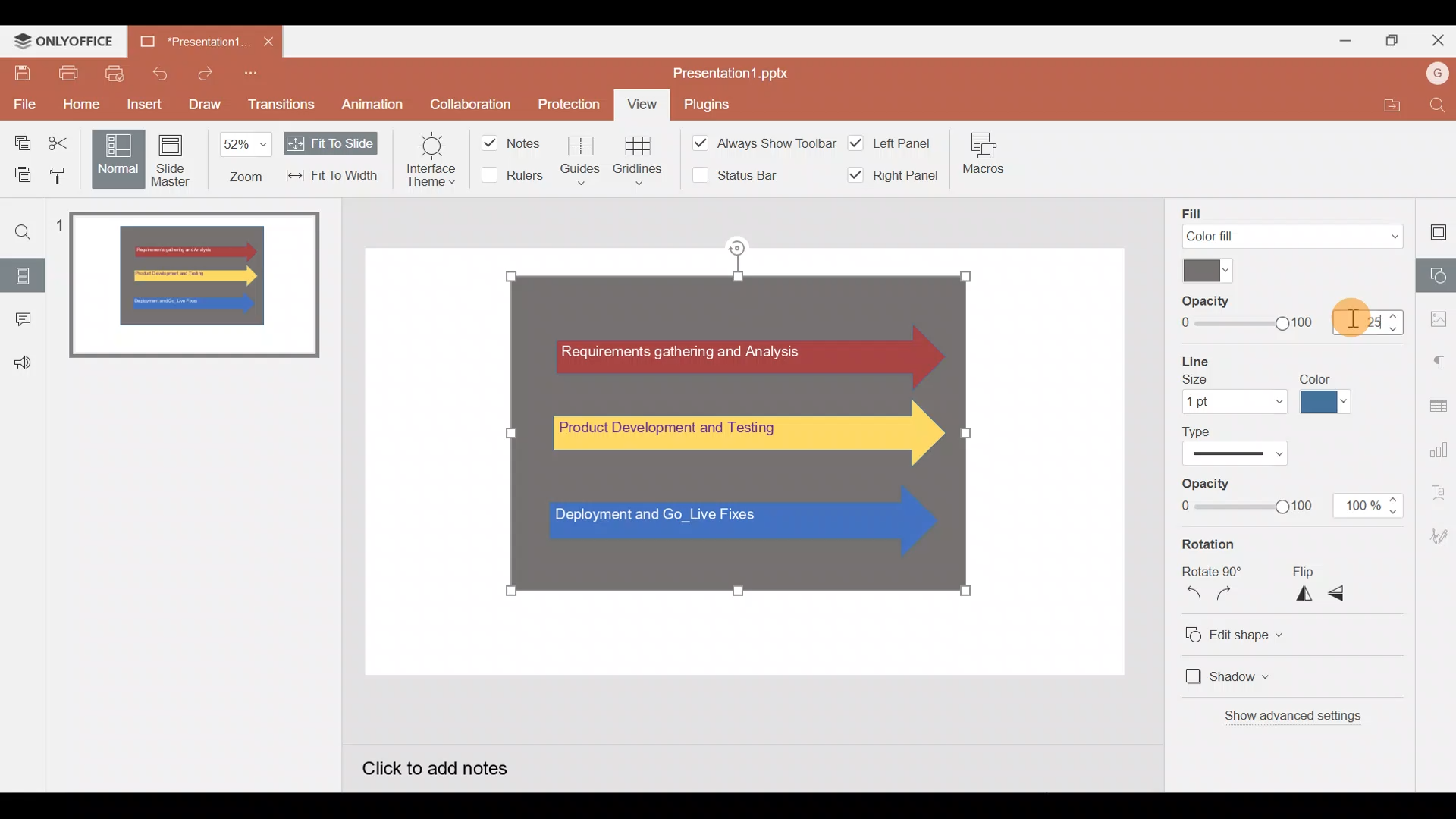 The width and height of the screenshot is (1456, 819). Describe the element at coordinates (452, 766) in the screenshot. I see `Click to add notes` at that location.